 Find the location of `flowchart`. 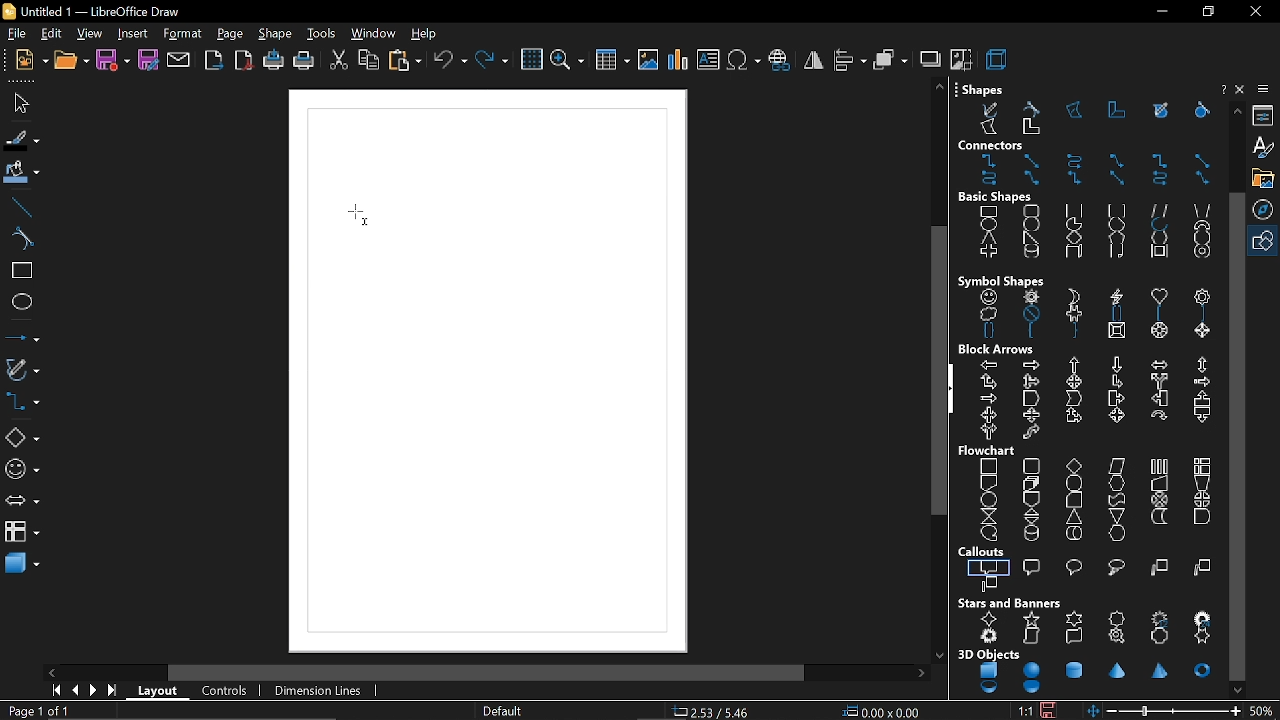

flowchart is located at coordinates (989, 451).